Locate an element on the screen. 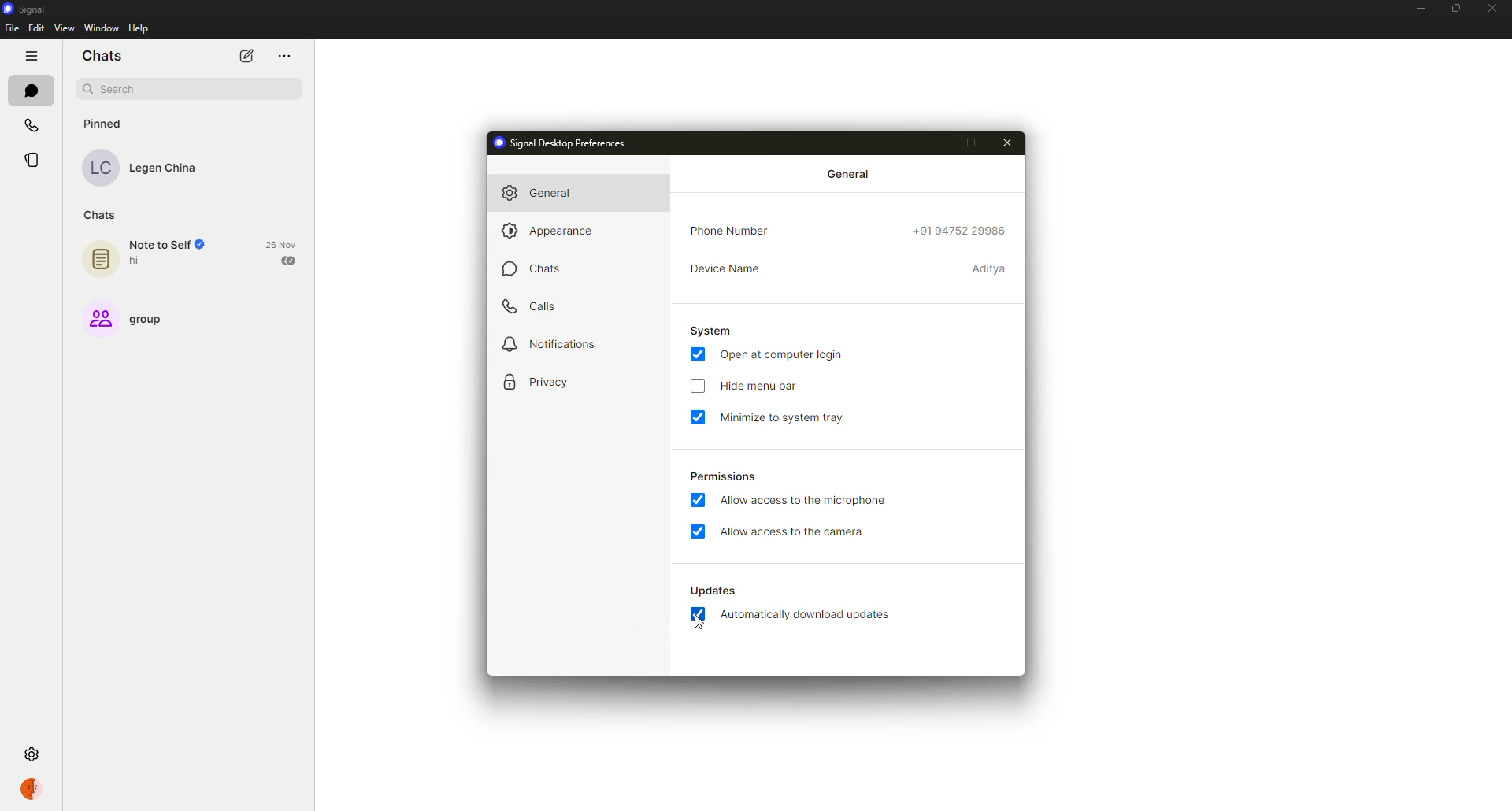 The height and width of the screenshot is (811, 1512). maximize is located at coordinates (1452, 9).